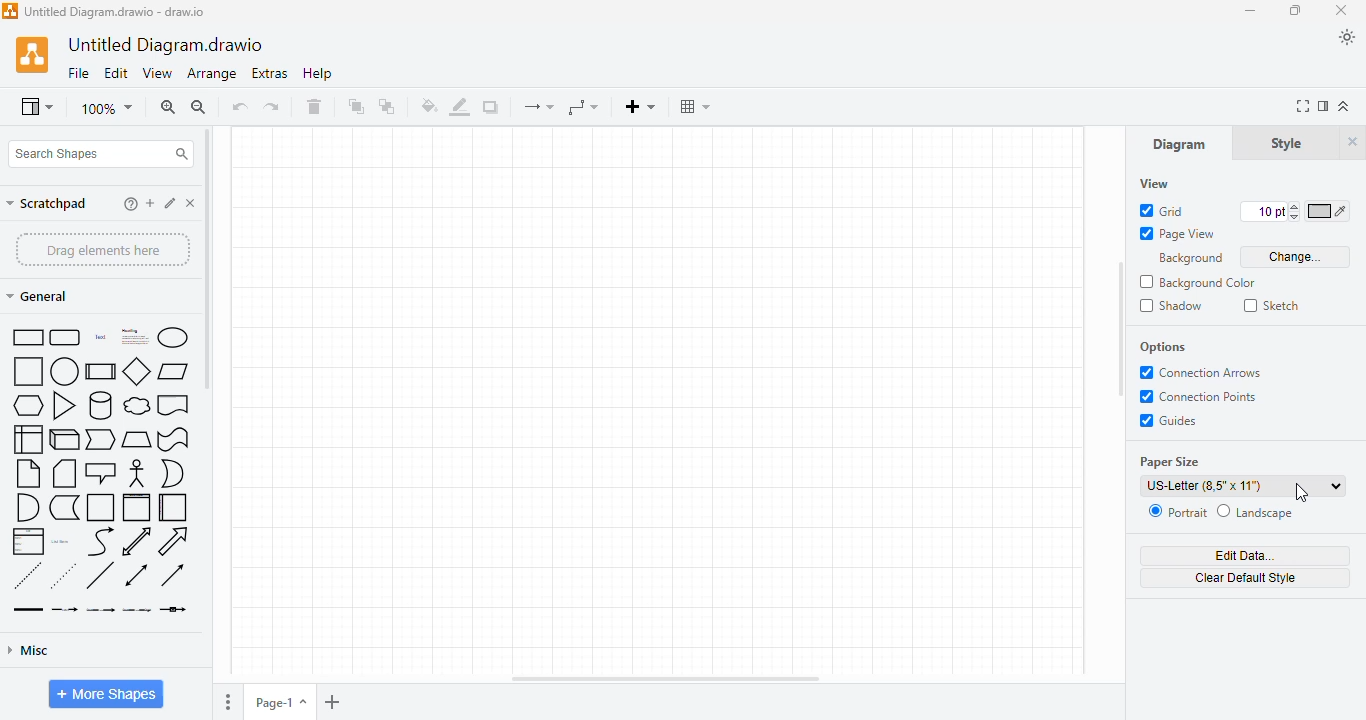 Image resolution: width=1366 pixels, height=720 pixels. I want to click on arrange, so click(212, 74).